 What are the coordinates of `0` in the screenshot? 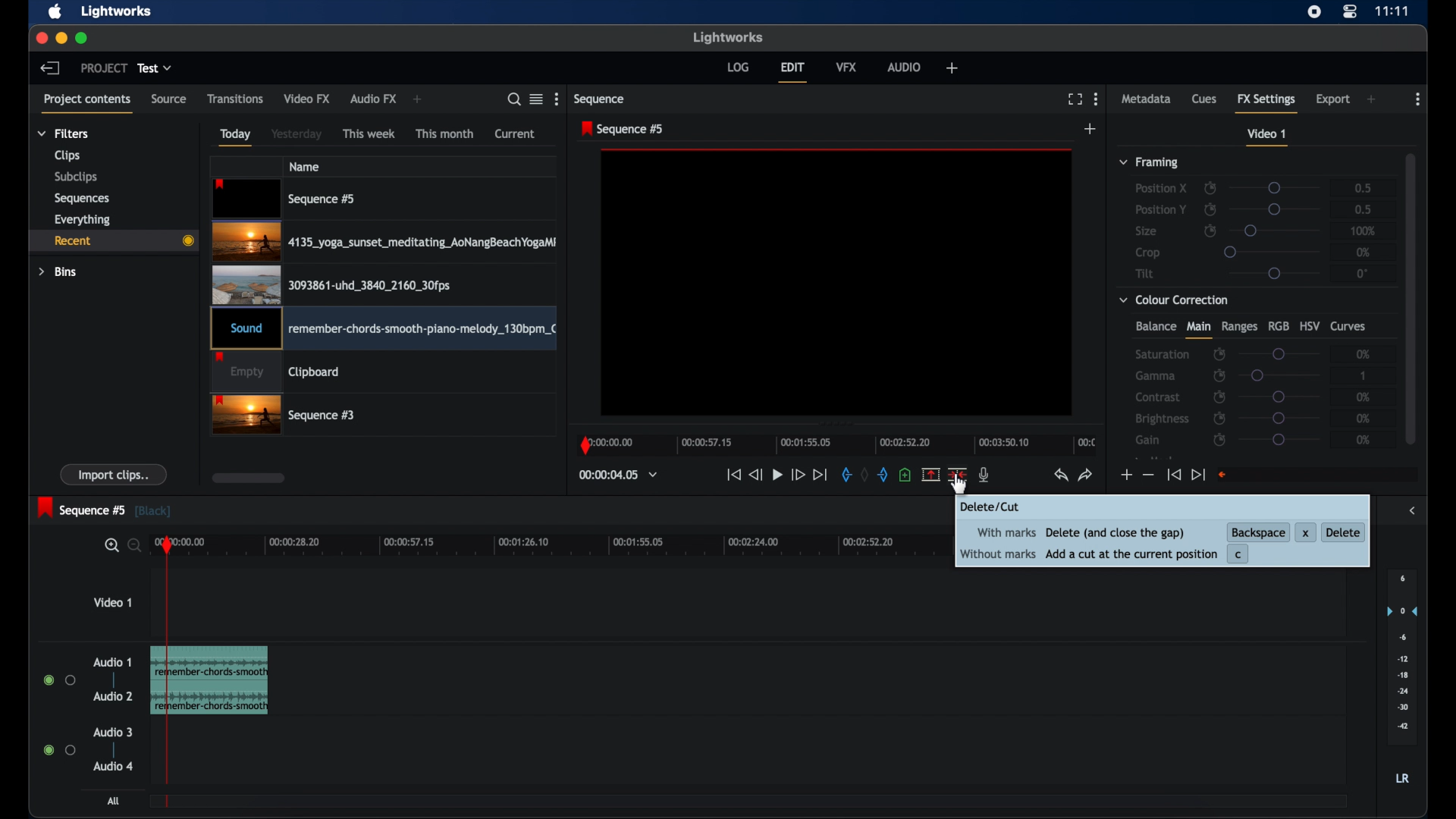 It's located at (1362, 273).